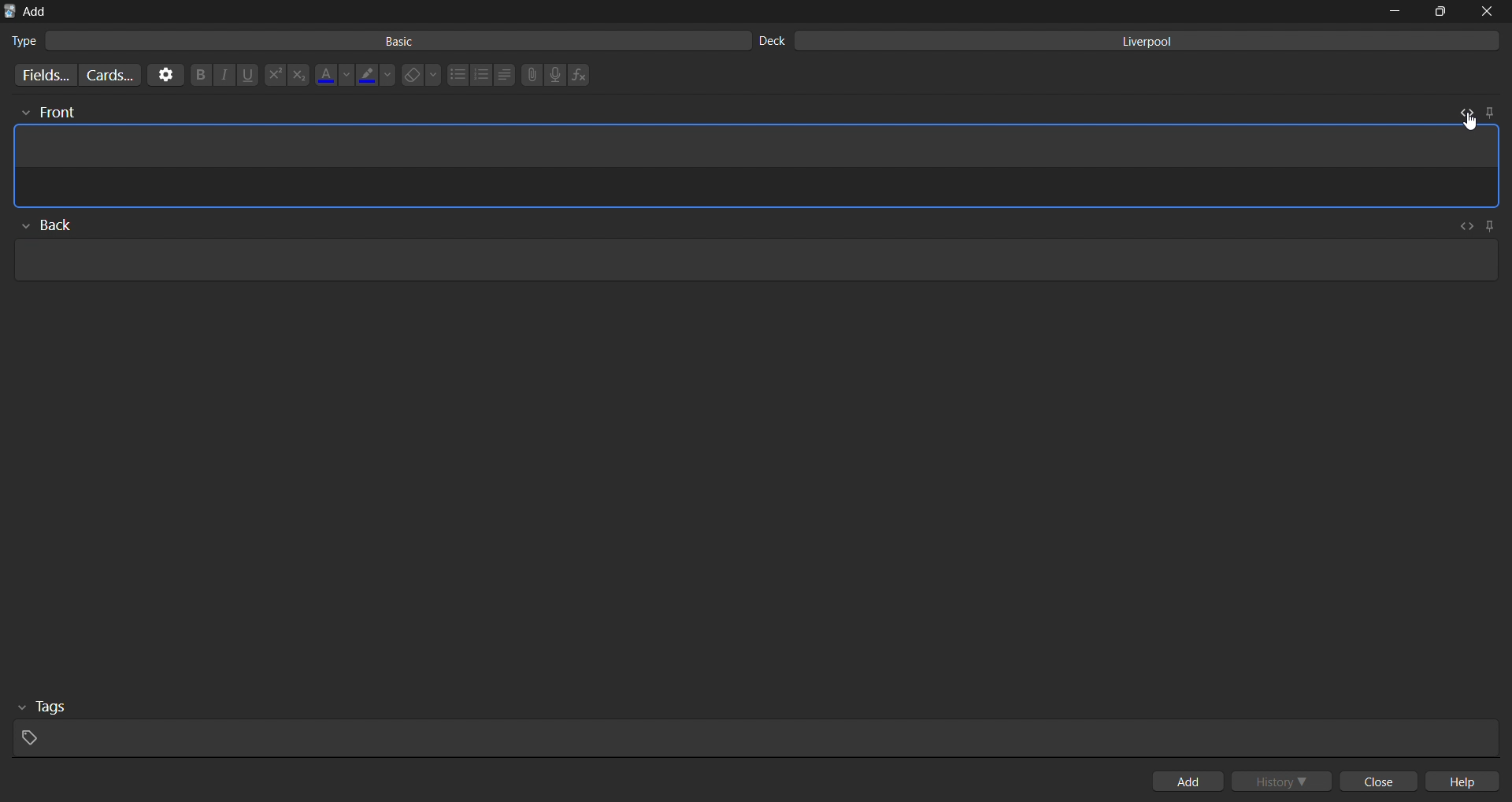 Image resolution: width=1512 pixels, height=802 pixels. Describe the element at coordinates (583, 75) in the screenshot. I see `insert function` at that location.